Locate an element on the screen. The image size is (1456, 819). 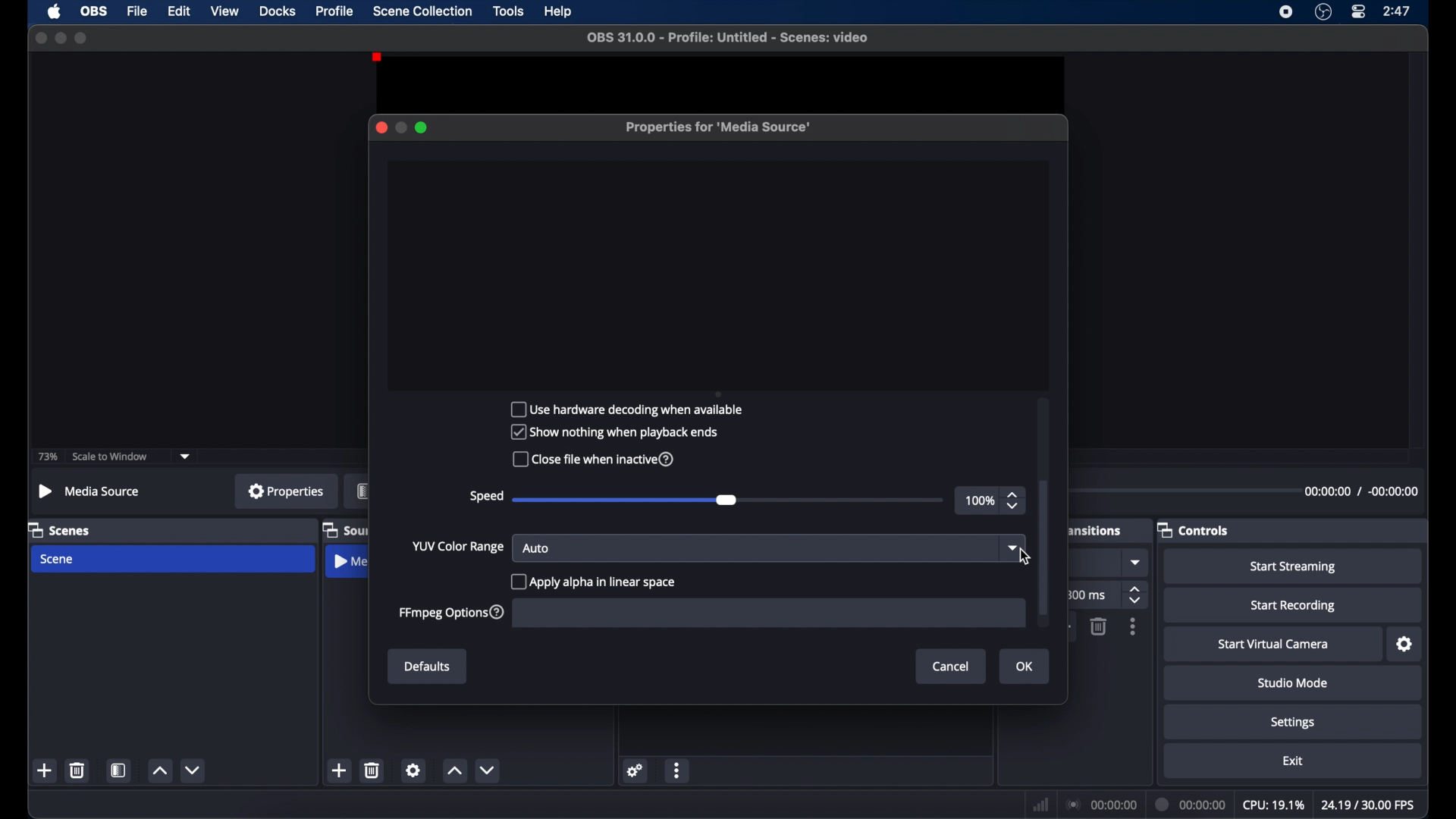
maximize is located at coordinates (423, 127).